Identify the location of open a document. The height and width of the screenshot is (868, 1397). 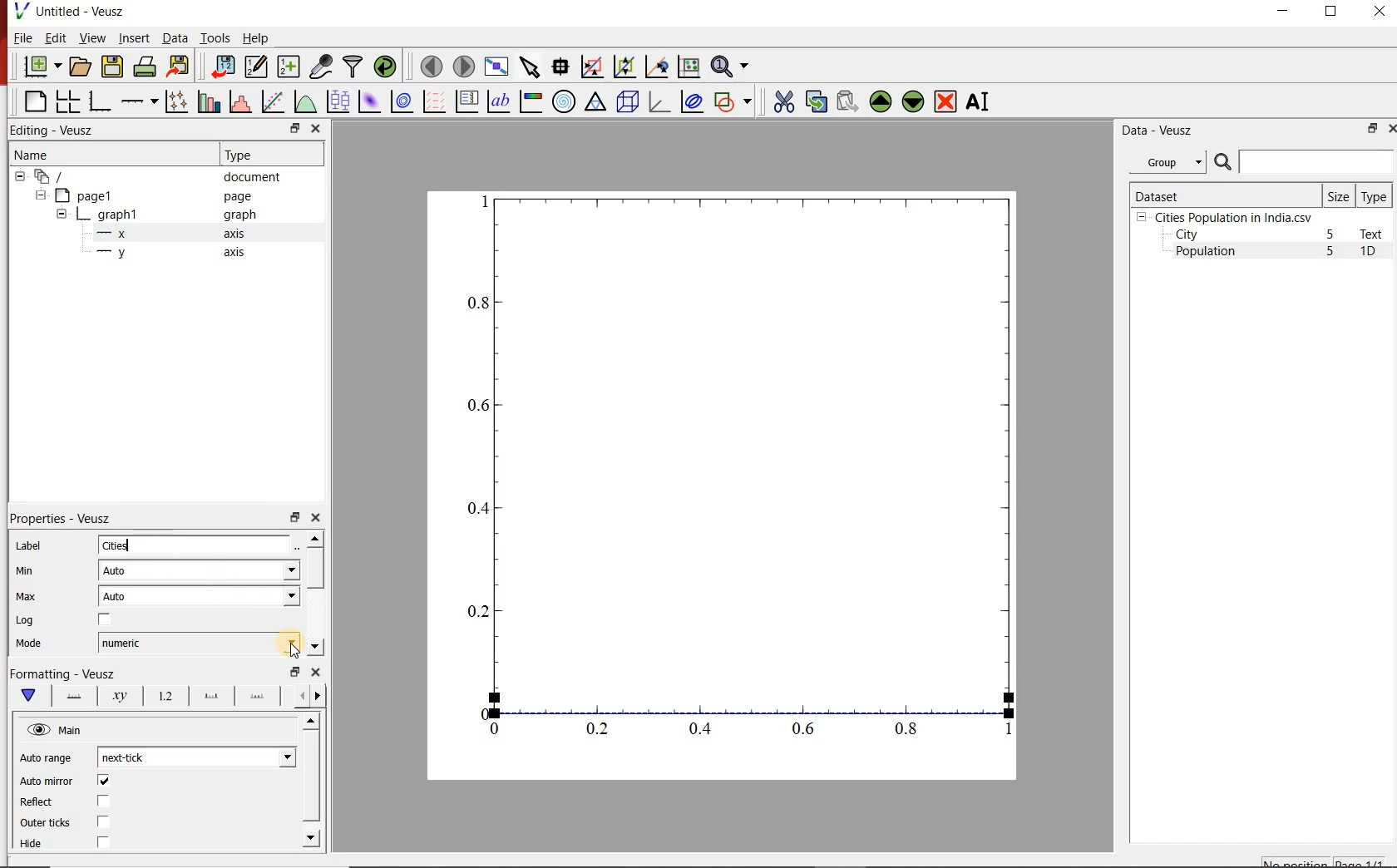
(79, 67).